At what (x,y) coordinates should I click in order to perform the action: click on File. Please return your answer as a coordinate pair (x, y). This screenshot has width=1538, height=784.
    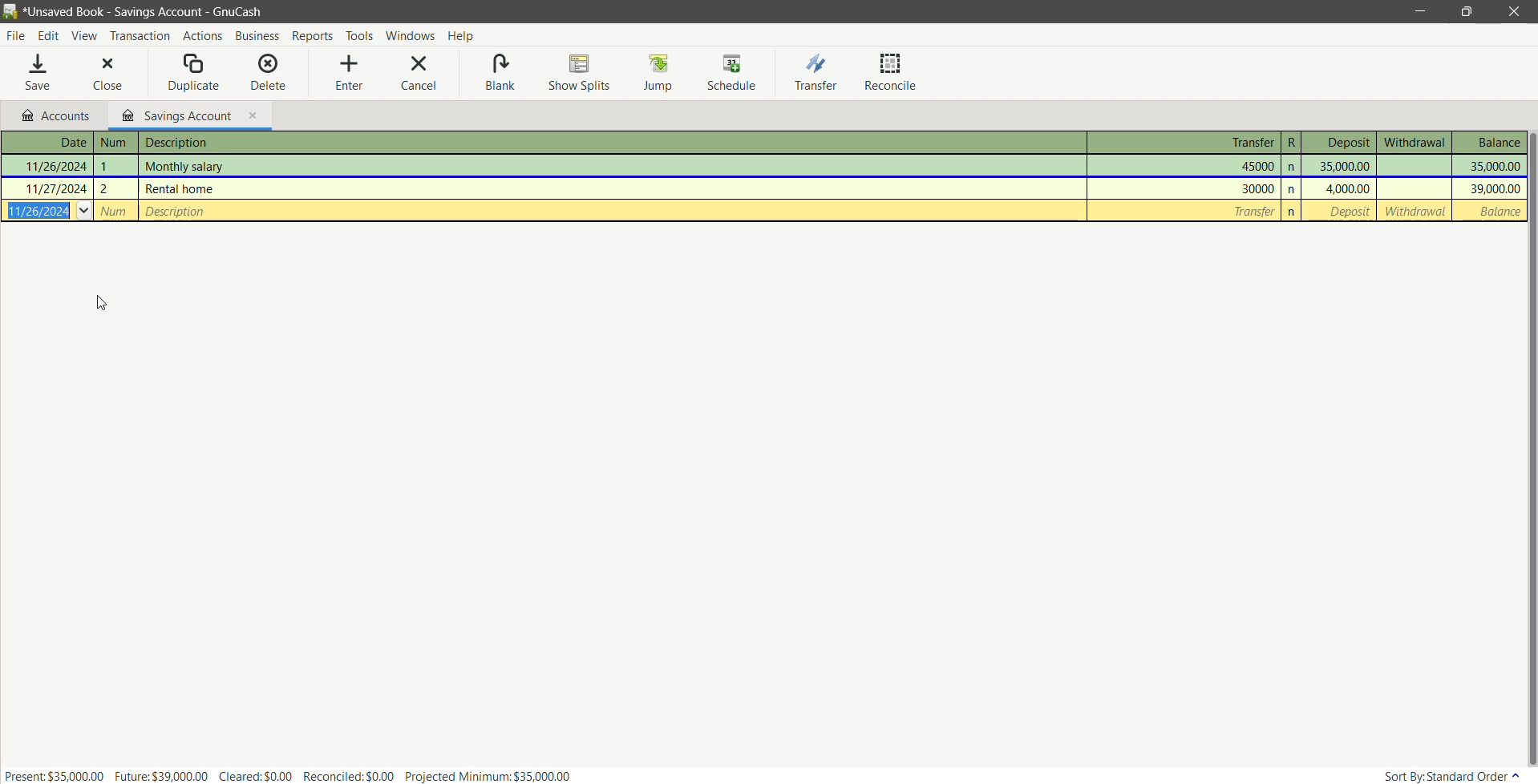
    Looking at the image, I should click on (15, 36).